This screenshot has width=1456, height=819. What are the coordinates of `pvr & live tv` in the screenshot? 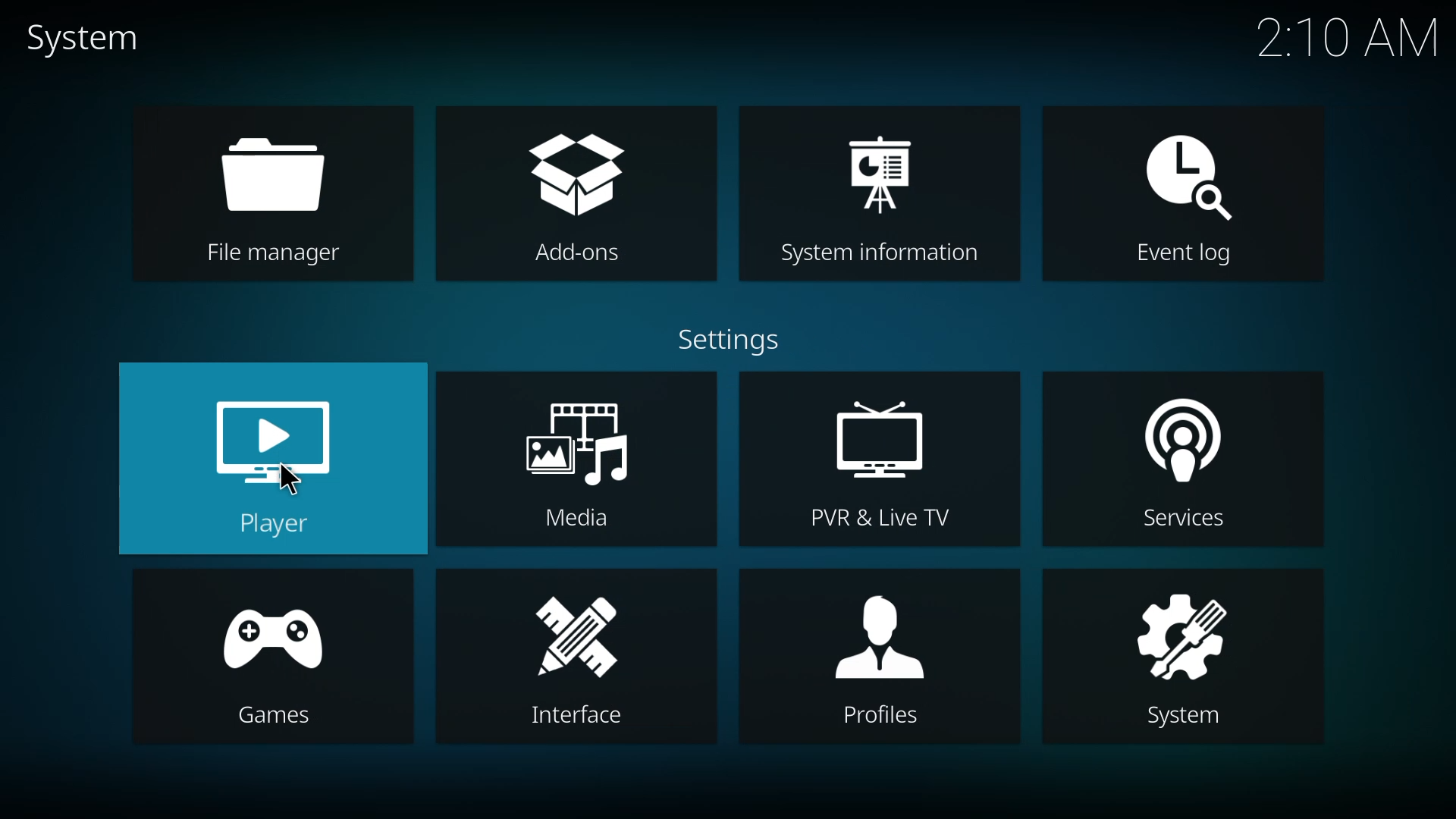 It's located at (880, 467).